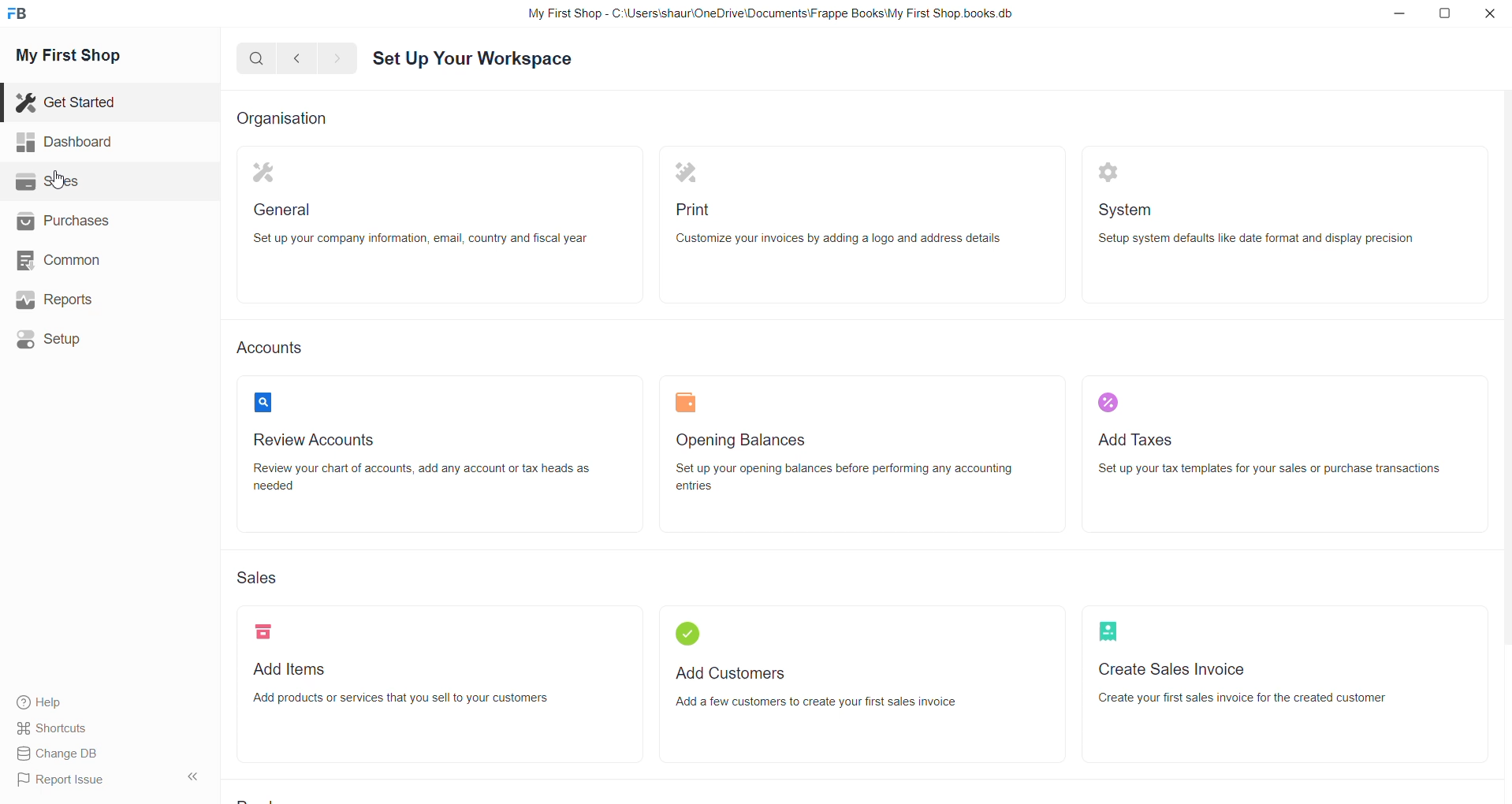 This screenshot has width=1512, height=804. I want to click on Accounts, so click(270, 346).